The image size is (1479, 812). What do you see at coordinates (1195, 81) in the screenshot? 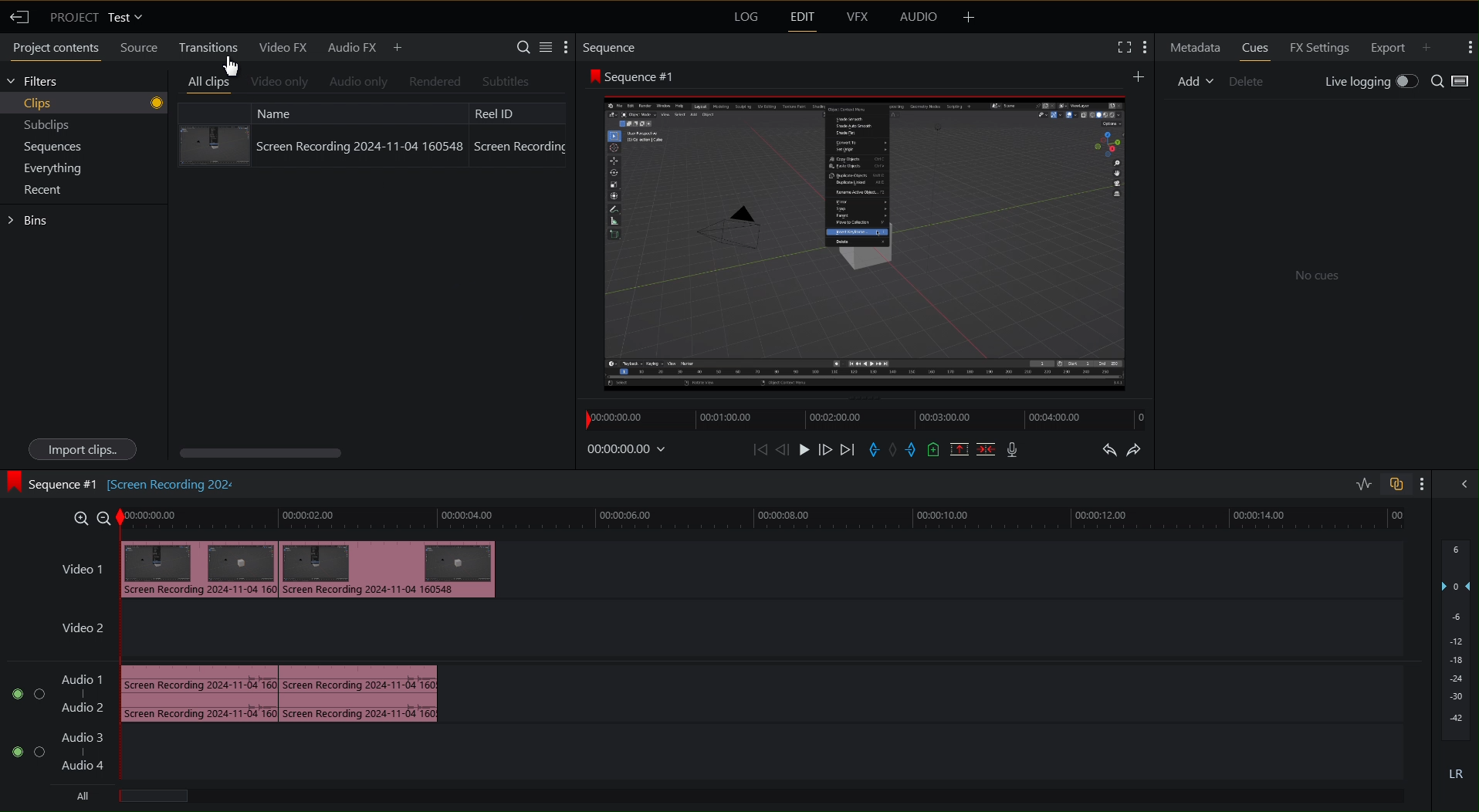
I see `Add` at bounding box center [1195, 81].